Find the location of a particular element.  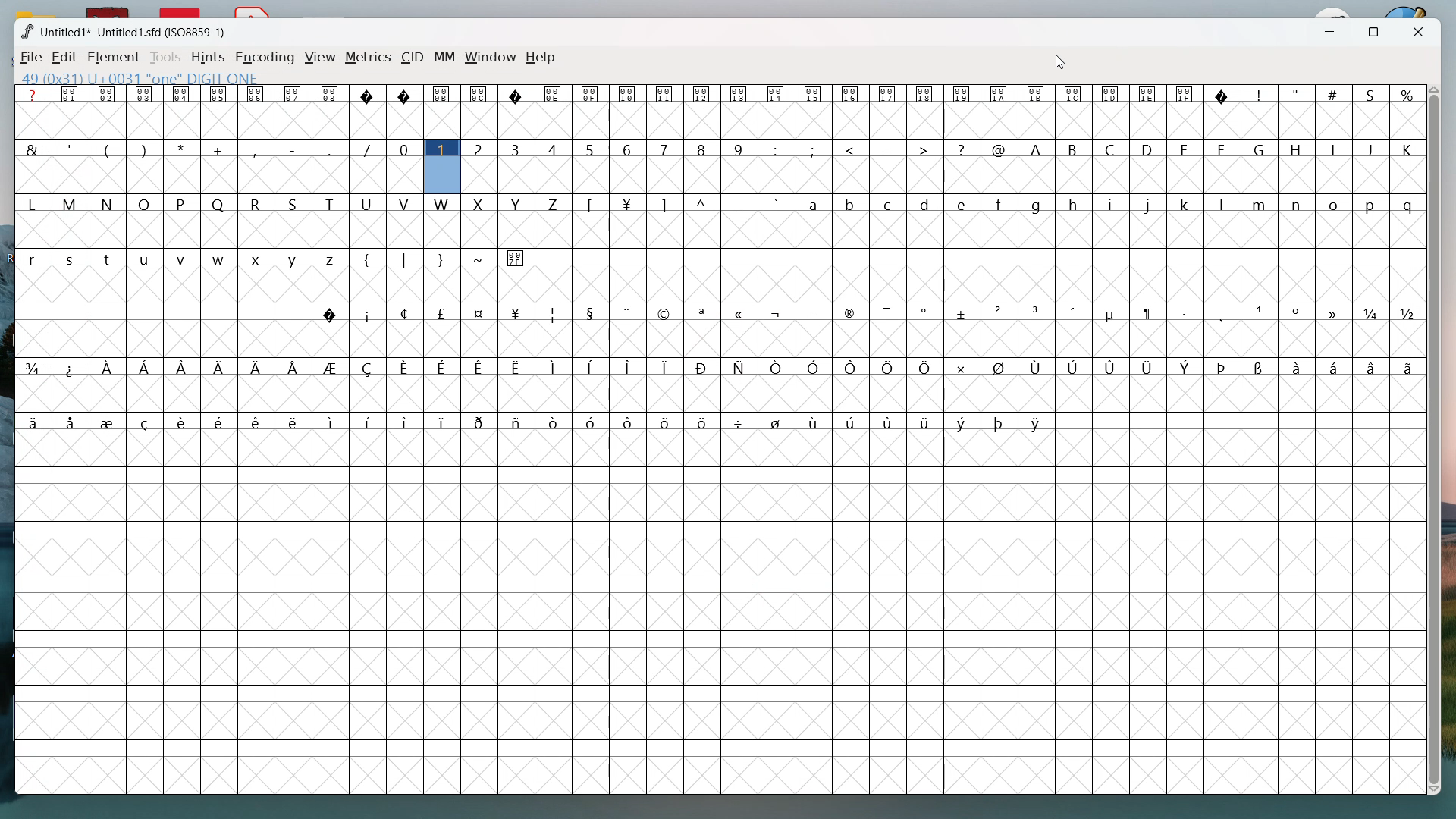

a is located at coordinates (816, 202).